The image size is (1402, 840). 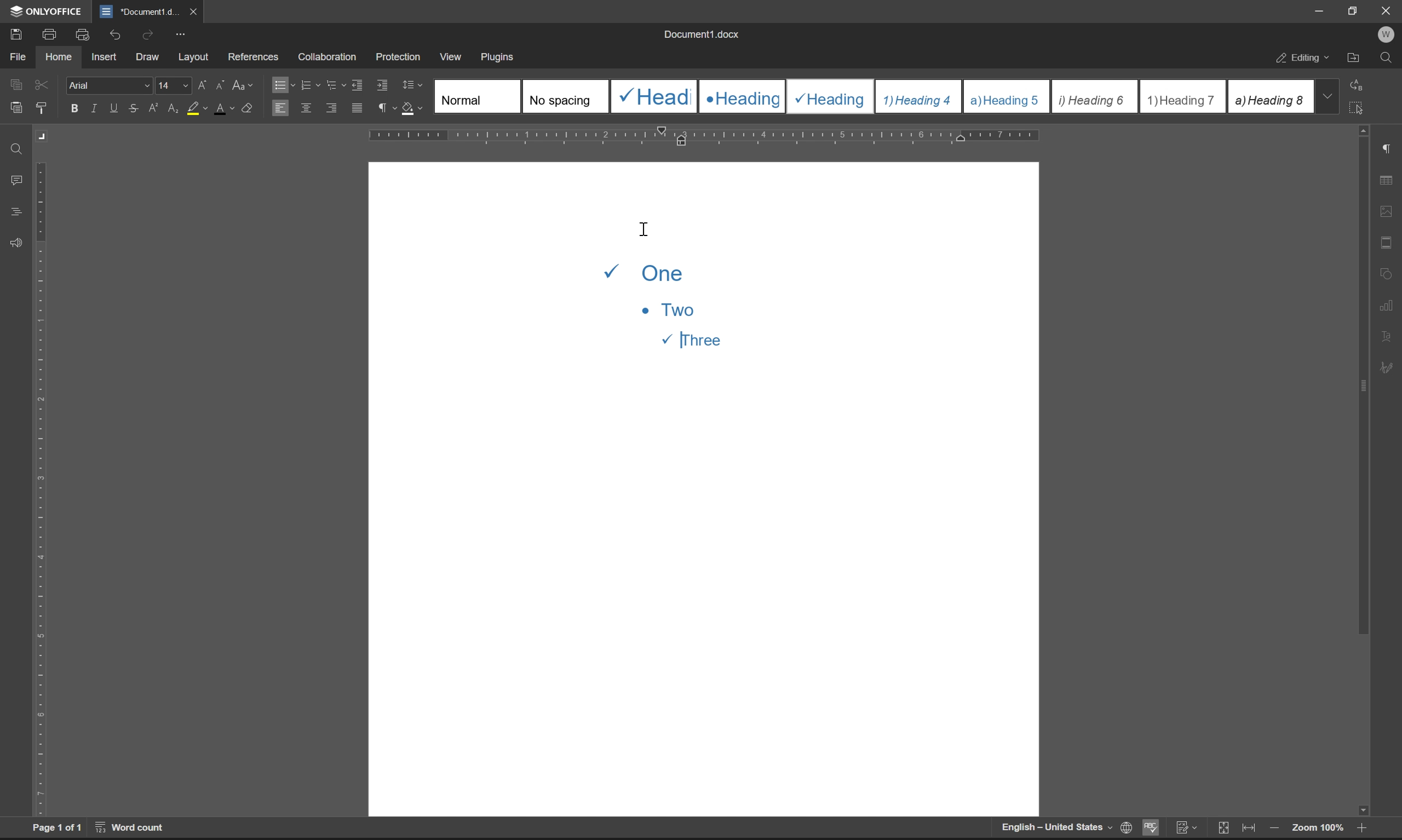 What do you see at coordinates (671, 308) in the screenshot?
I see `Multilevel list with alternating symbols` at bounding box center [671, 308].